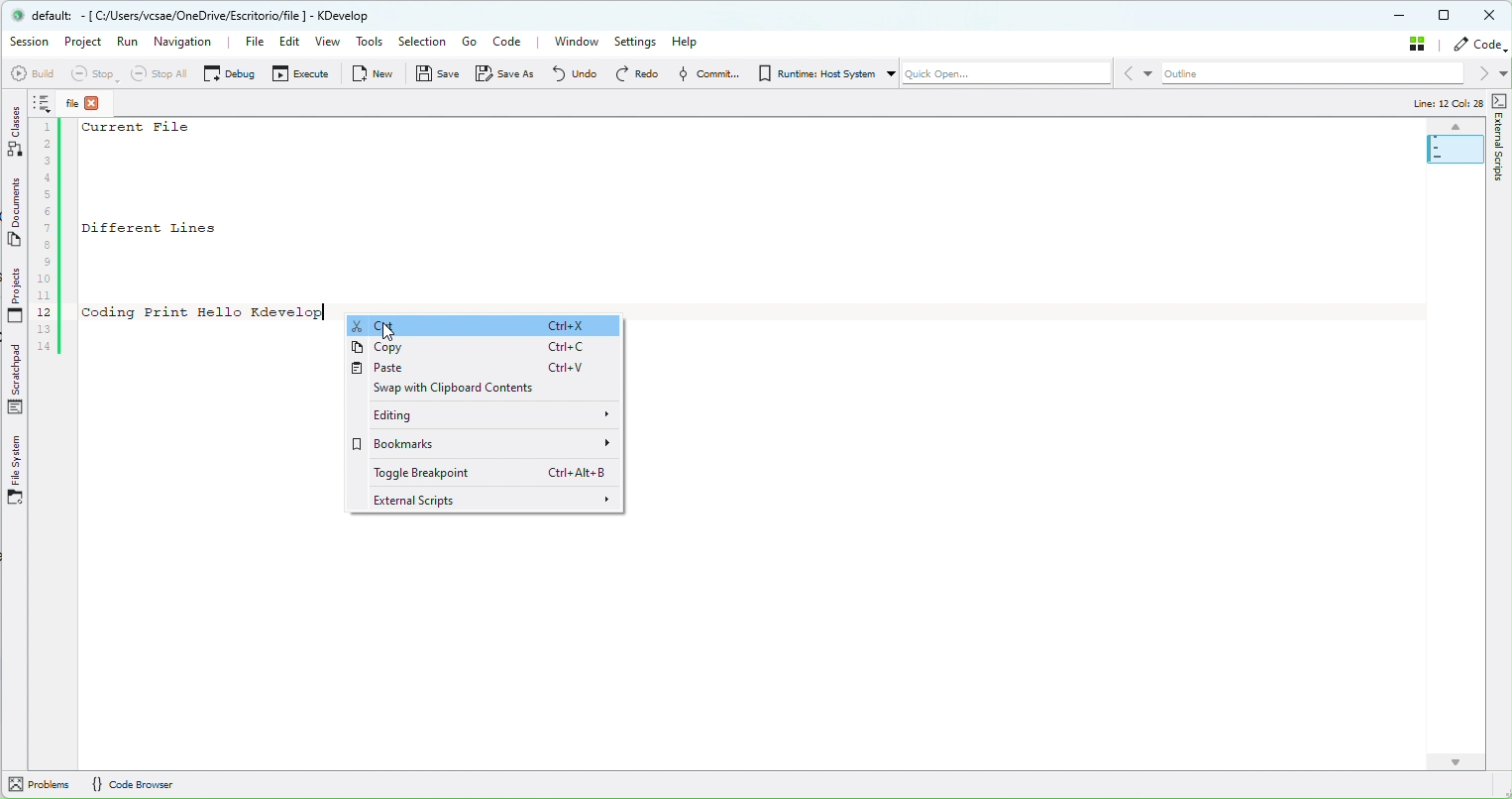  What do you see at coordinates (85, 43) in the screenshot?
I see `Project` at bounding box center [85, 43].